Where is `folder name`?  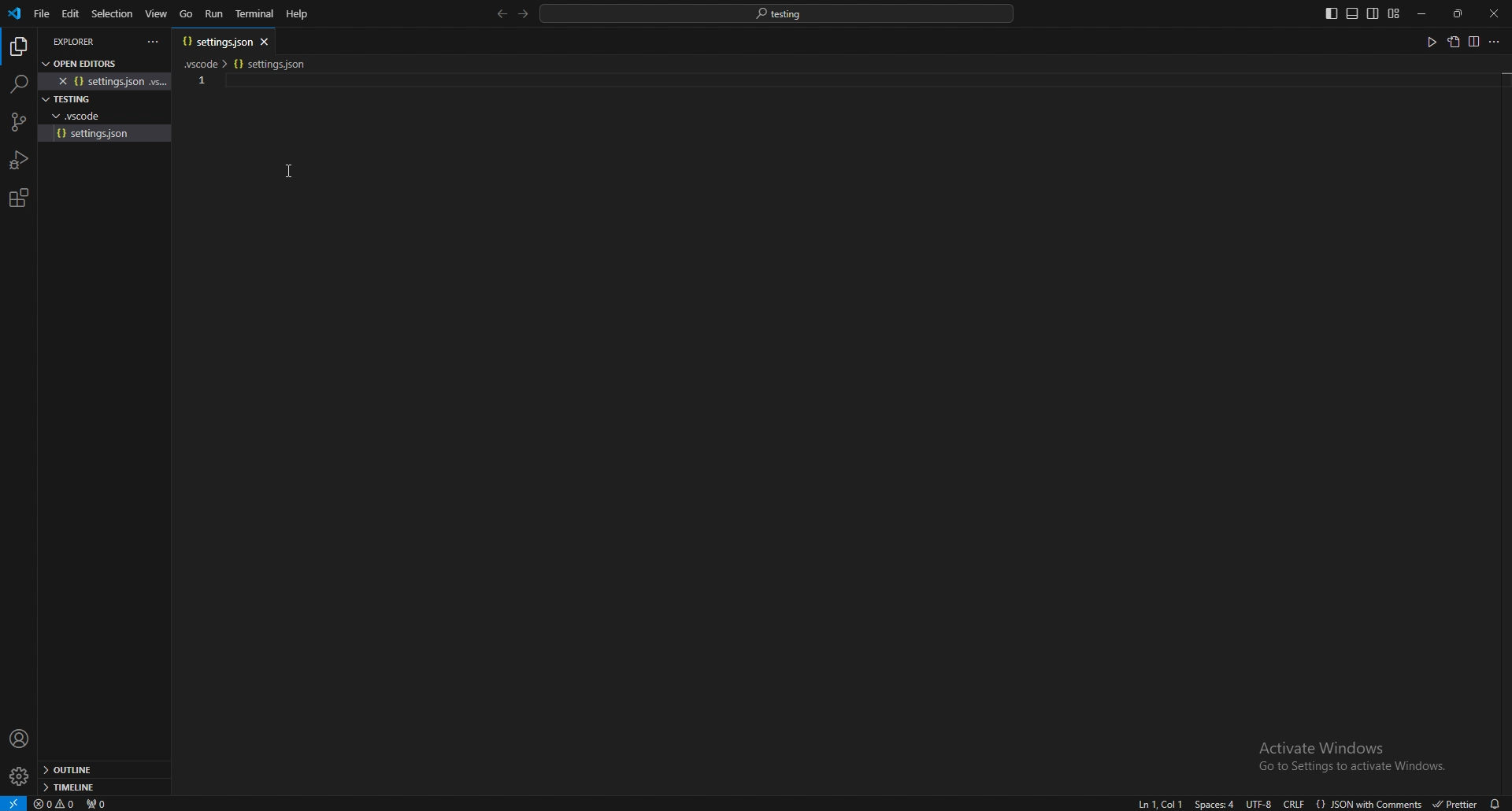 folder name is located at coordinates (72, 115).